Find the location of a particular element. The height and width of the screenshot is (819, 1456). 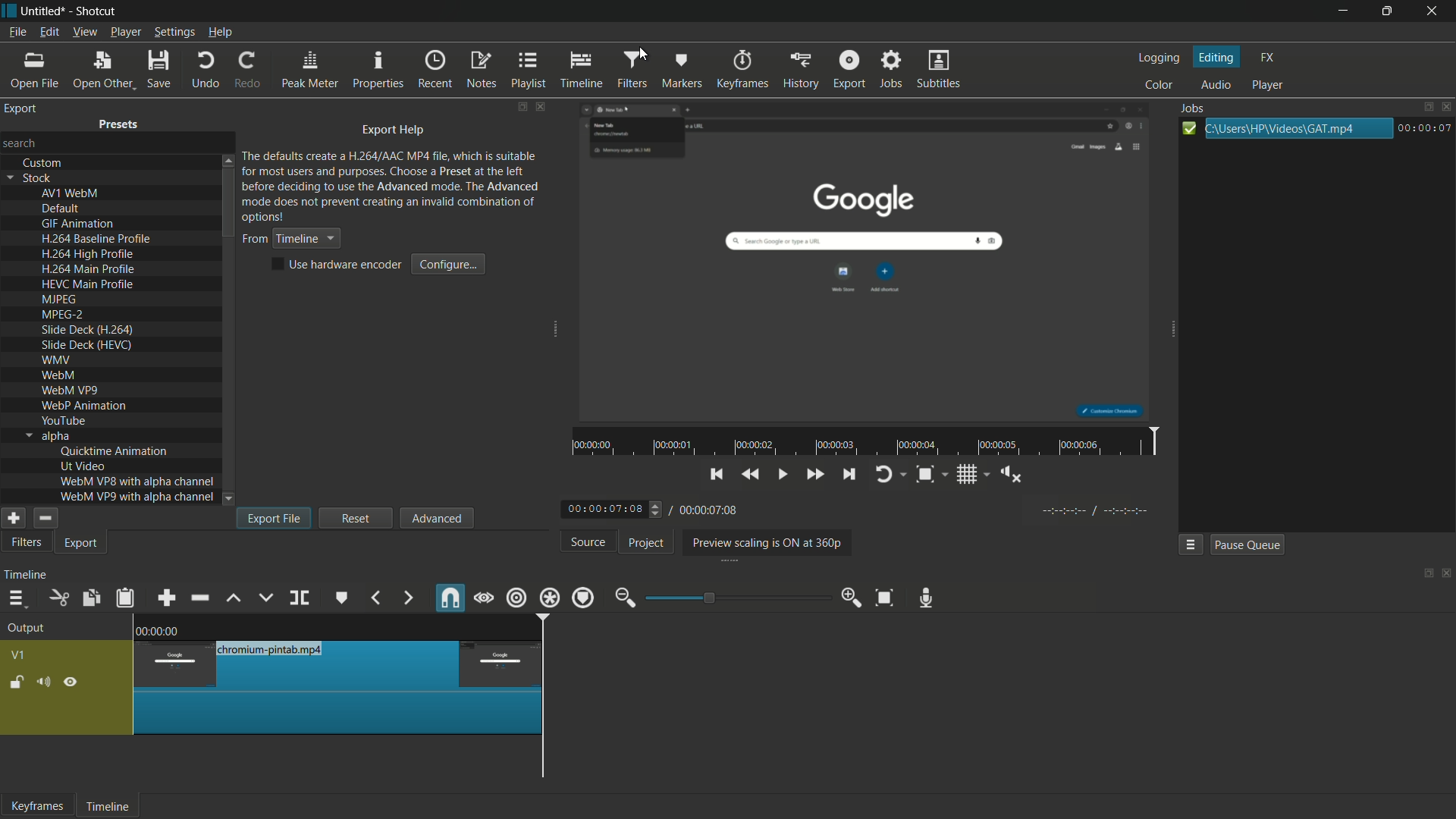

app name is located at coordinates (95, 11).